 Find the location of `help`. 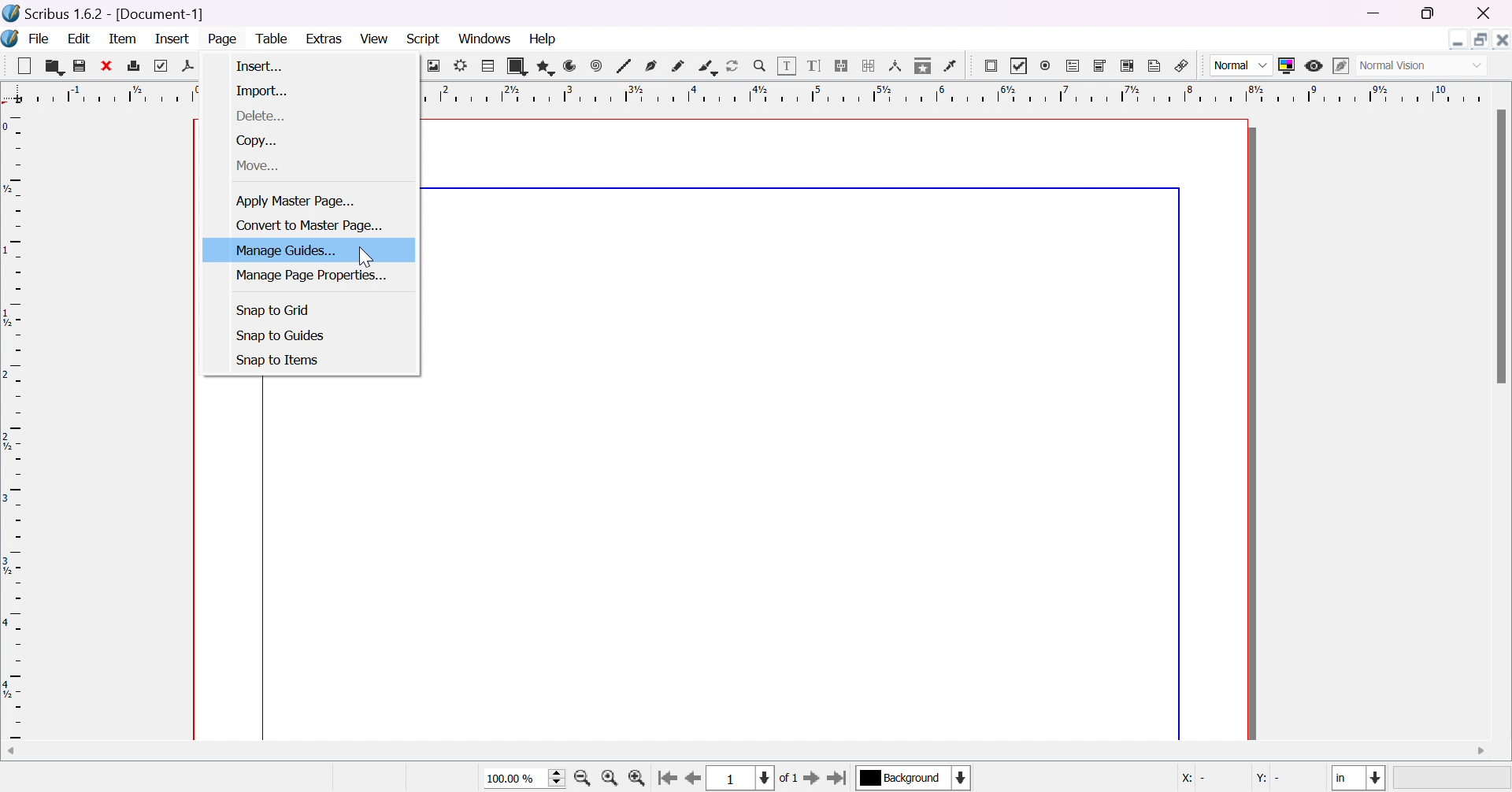

help is located at coordinates (549, 40).